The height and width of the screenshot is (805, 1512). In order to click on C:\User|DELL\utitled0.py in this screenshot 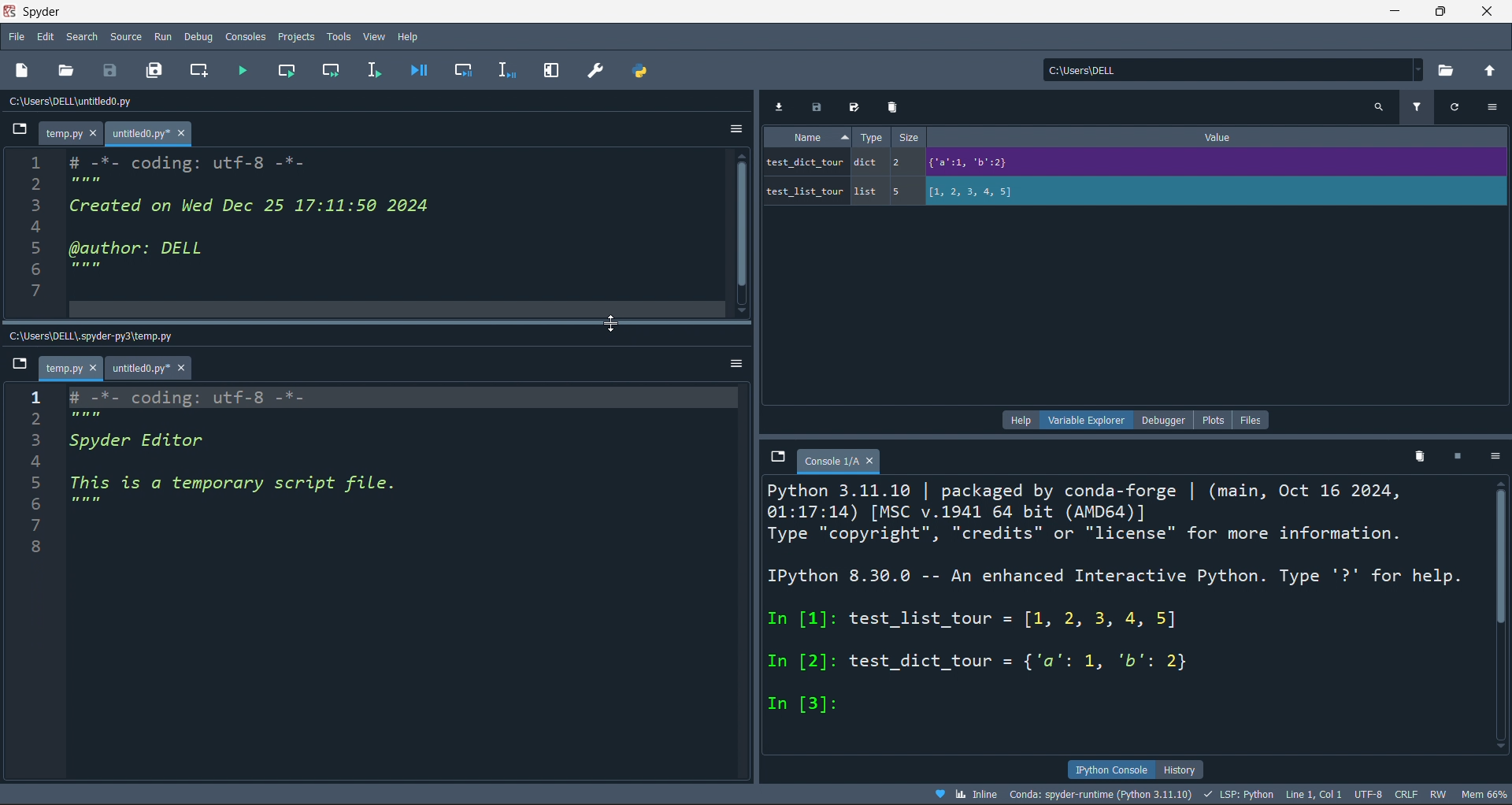, I will do `click(94, 103)`.